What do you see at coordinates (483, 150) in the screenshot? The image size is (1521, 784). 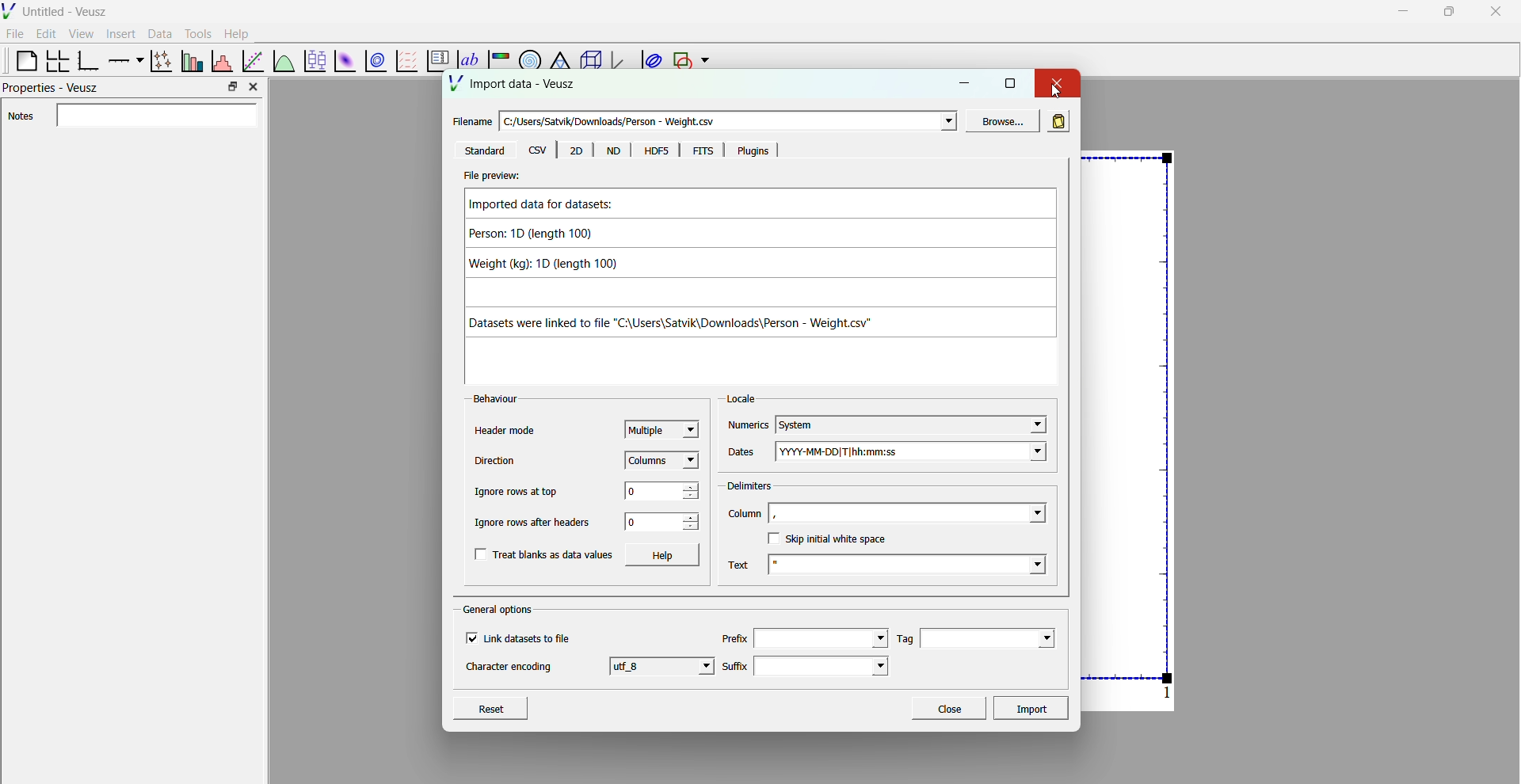 I see `Standard` at bounding box center [483, 150].